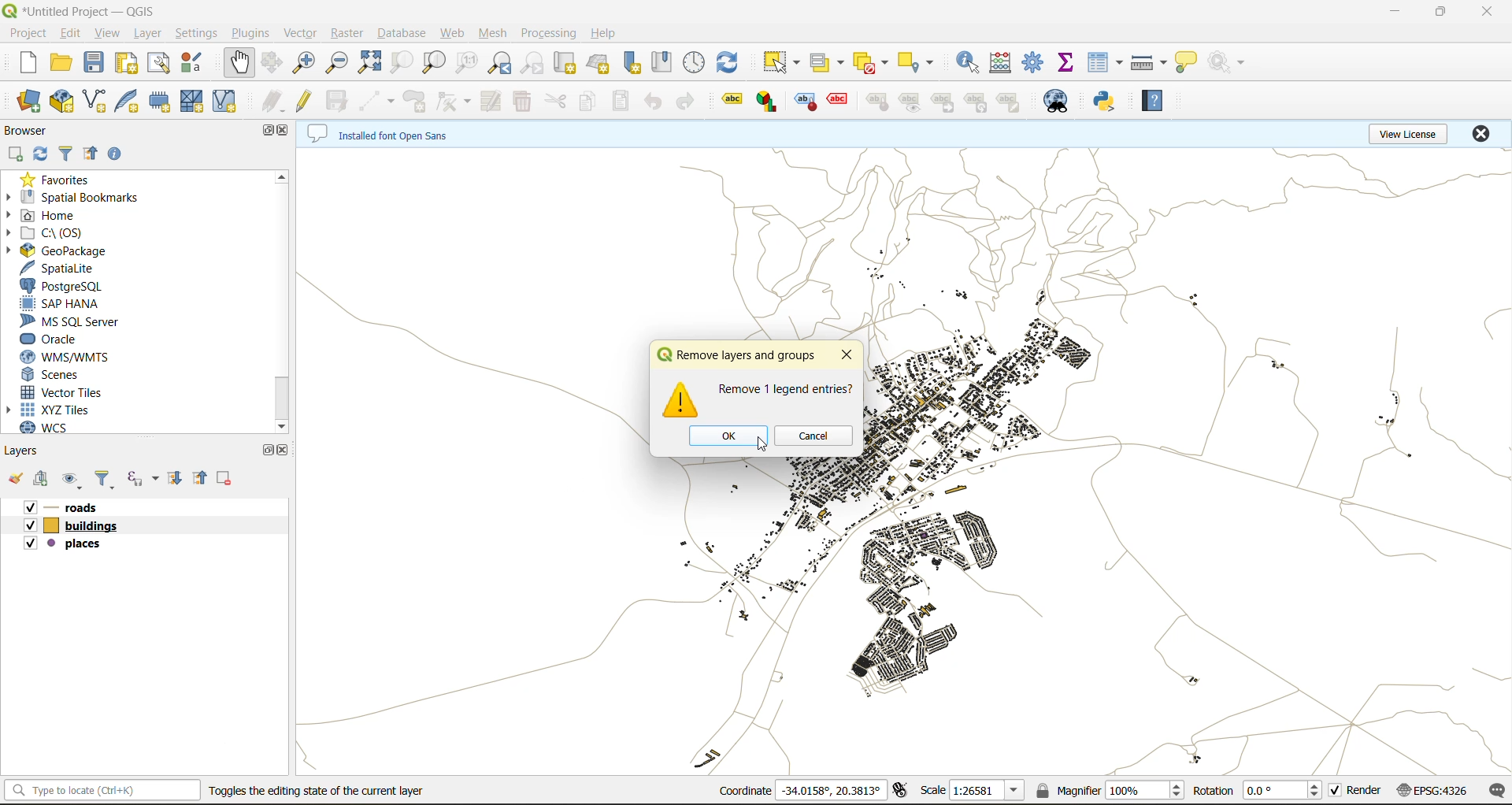 The width and height of the screenshot is (1512, 805). Describe the element at coordinates (650, 104) in the screenshot. I see `undo` at that location.